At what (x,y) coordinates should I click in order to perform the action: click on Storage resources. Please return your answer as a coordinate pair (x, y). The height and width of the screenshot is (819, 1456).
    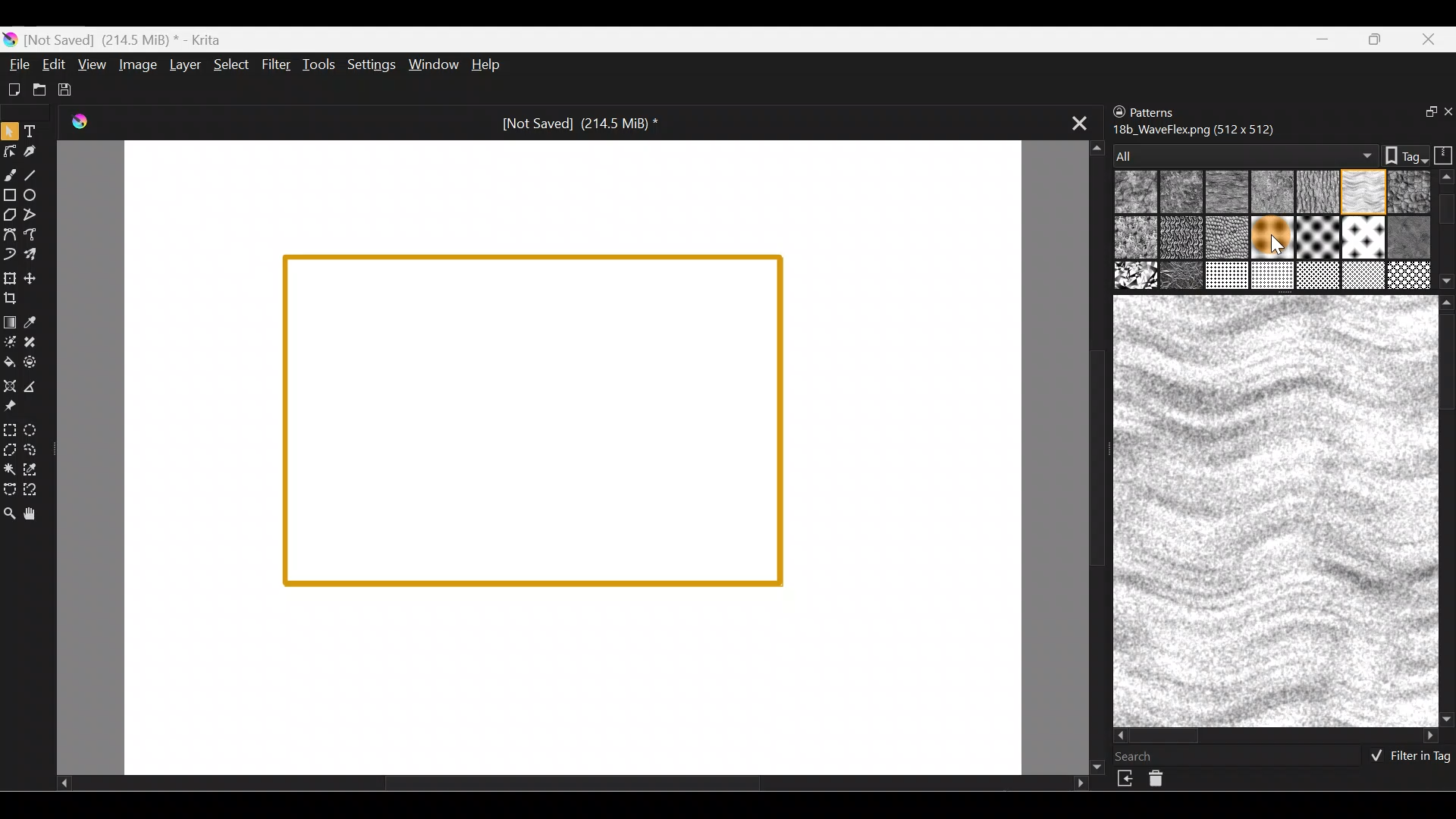
    Looking at the image, I should click on (1441, 154).